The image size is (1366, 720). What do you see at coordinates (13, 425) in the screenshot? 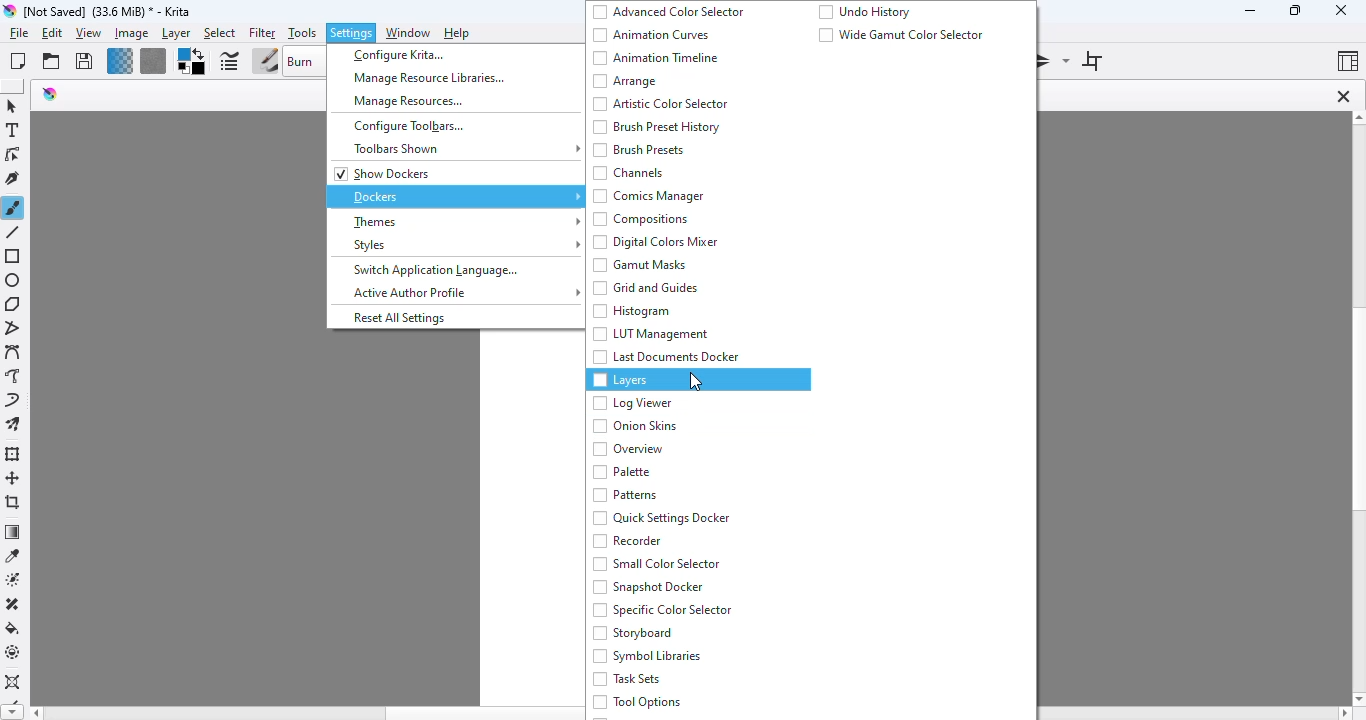
I see `multibrush tool` at bounding box center [13, 425].